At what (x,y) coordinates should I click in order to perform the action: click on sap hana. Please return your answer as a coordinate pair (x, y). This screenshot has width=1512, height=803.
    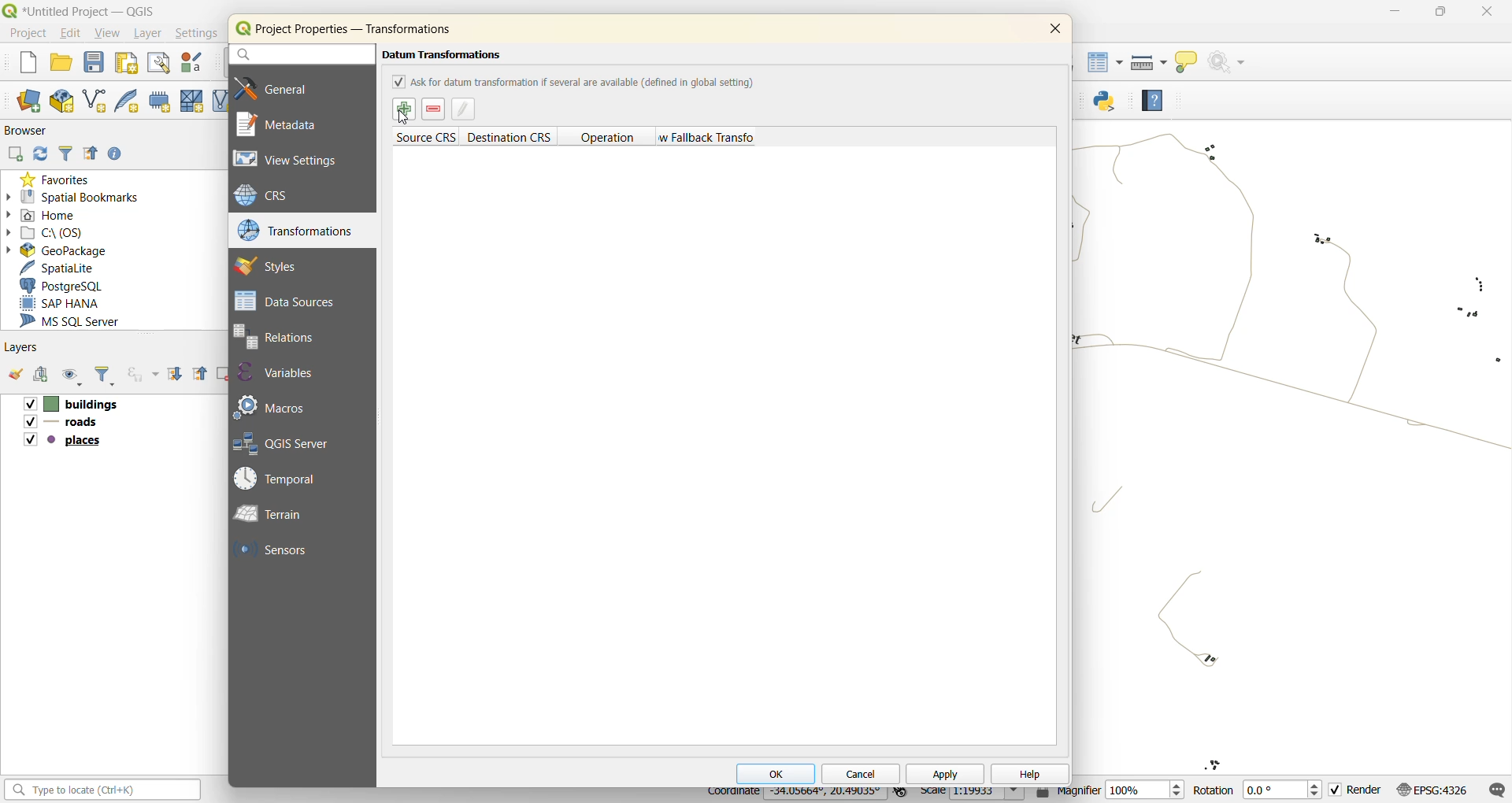
    Looking at the image, I should click on (76, 303).